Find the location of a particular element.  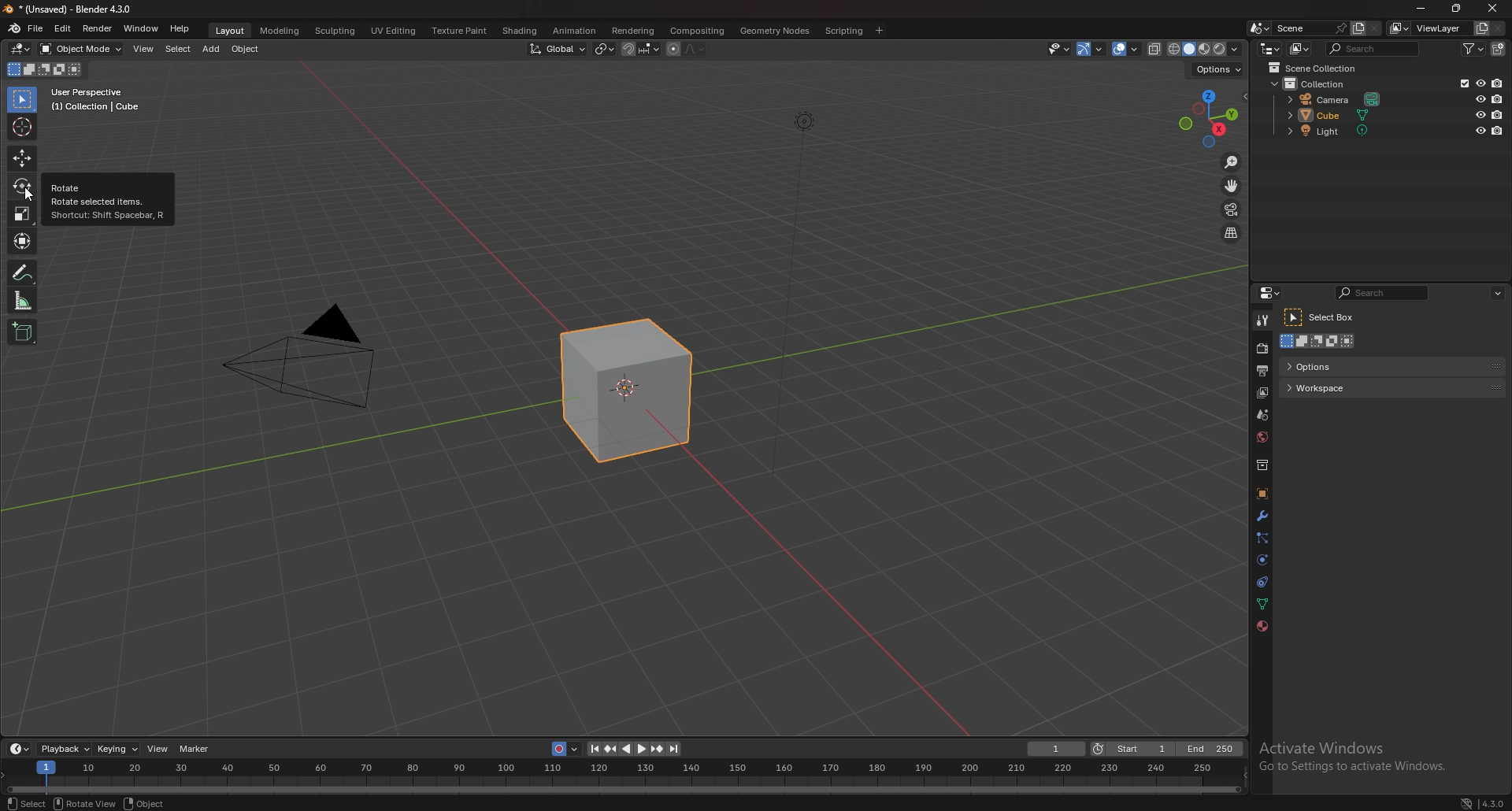

modes is located at coordinates (44, 69).